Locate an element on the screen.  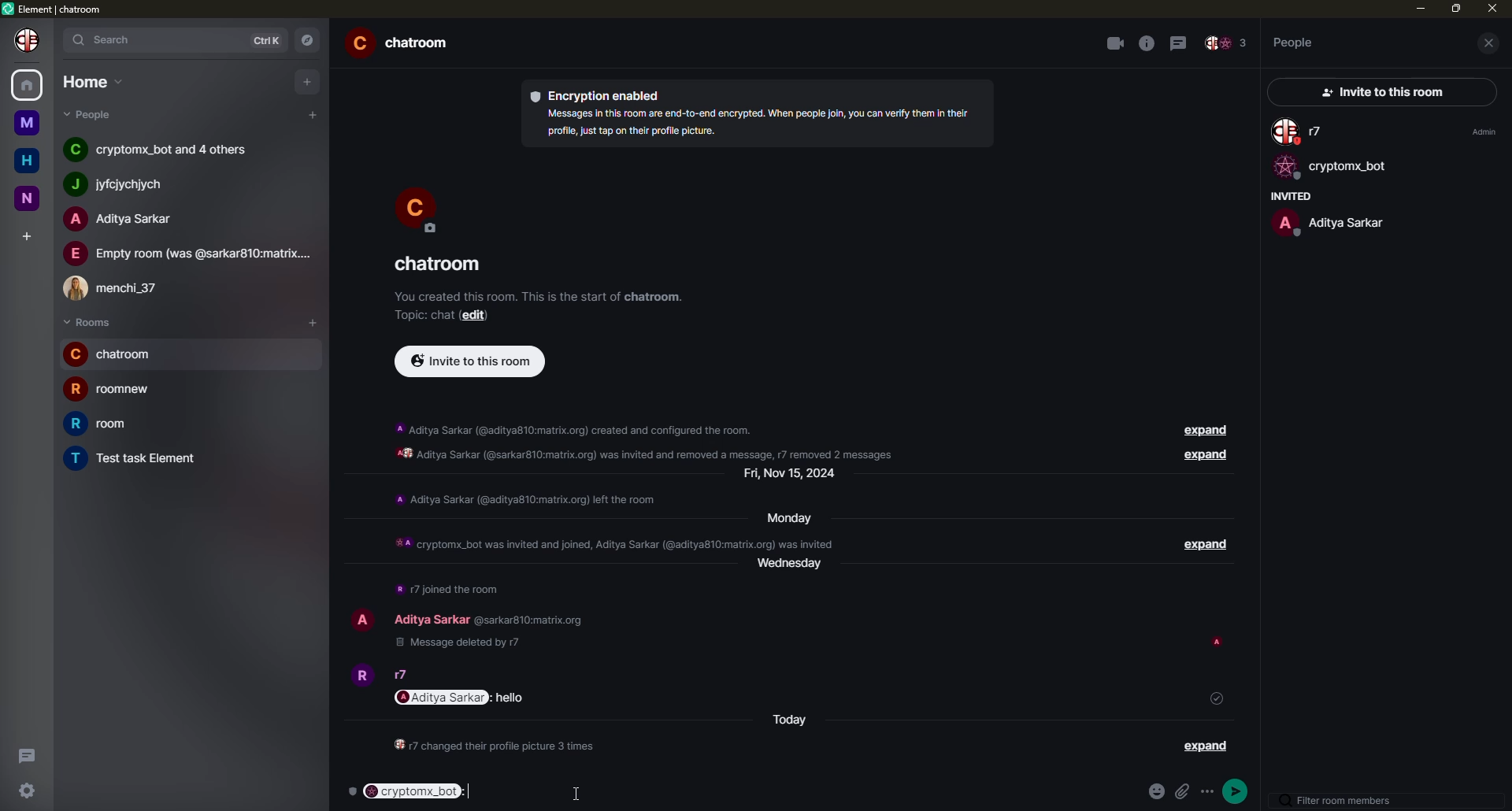
expand is located at coordinates (1199, 546).